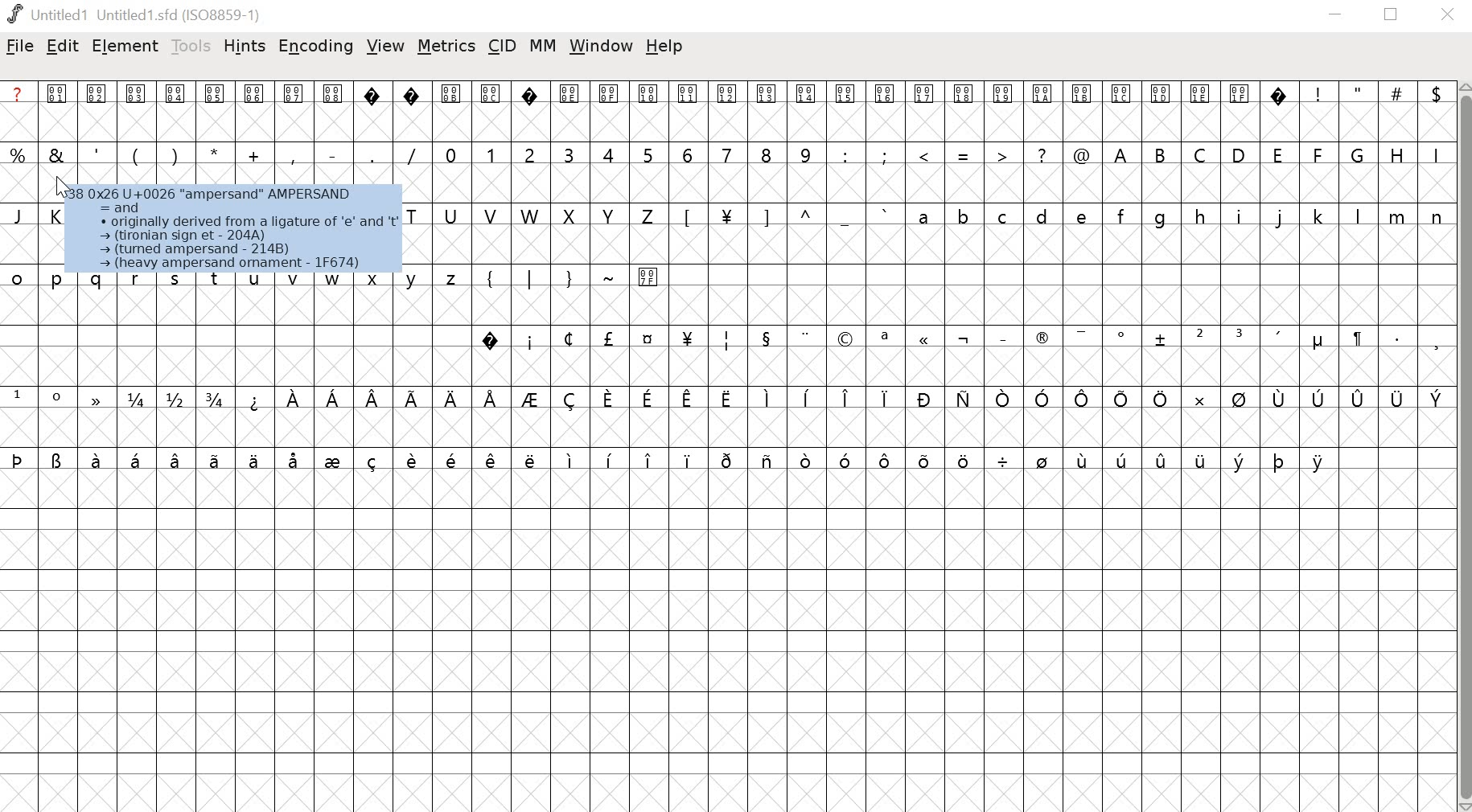  I want to click on symbol, so click(256, 399).